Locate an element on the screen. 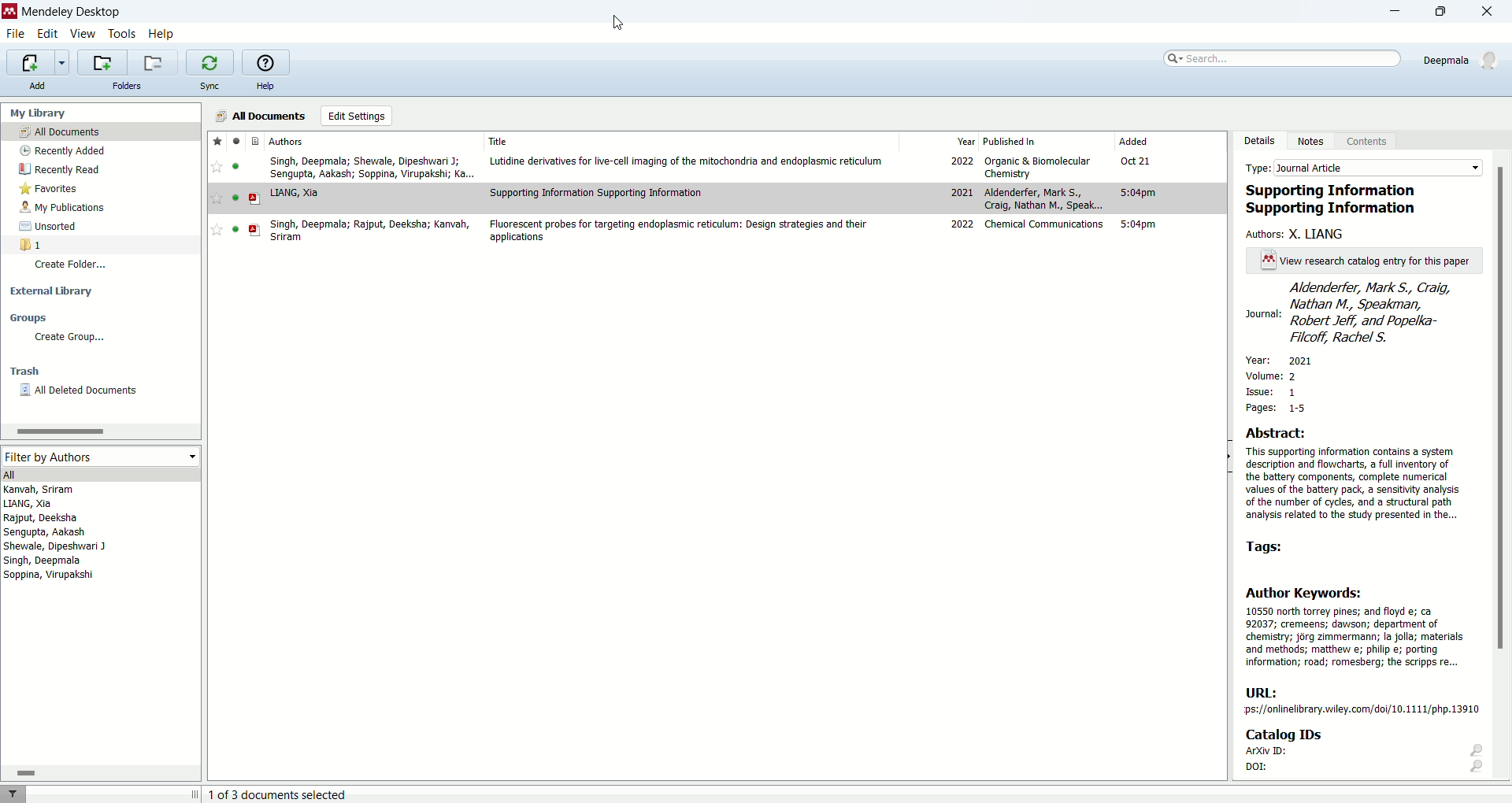 Image resolution: width=1512 pixels, height=803 pixels. help is located at coordinates (161, 35).